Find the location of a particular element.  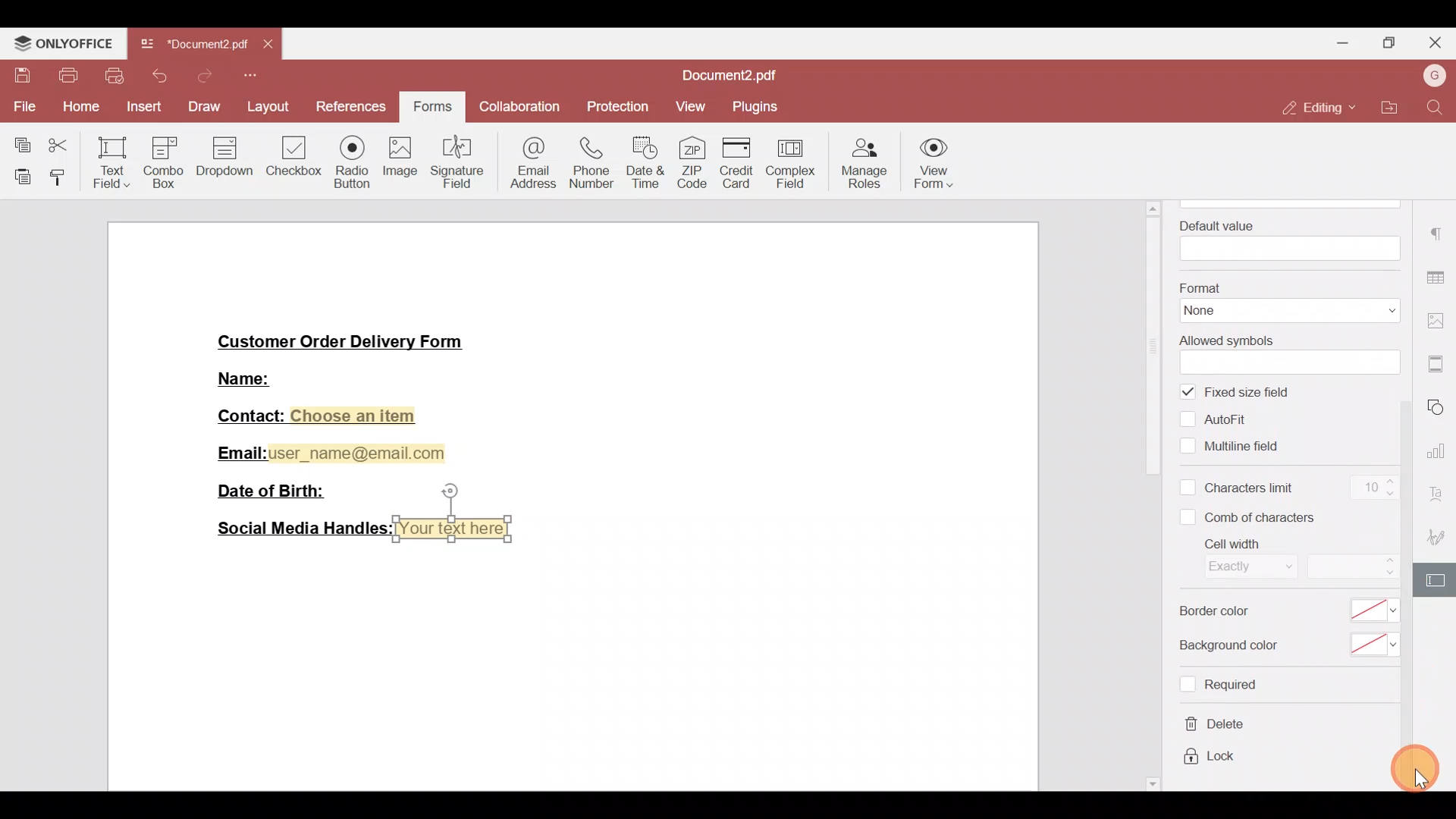

Fixed size field is located at coordinates (1249, 393).